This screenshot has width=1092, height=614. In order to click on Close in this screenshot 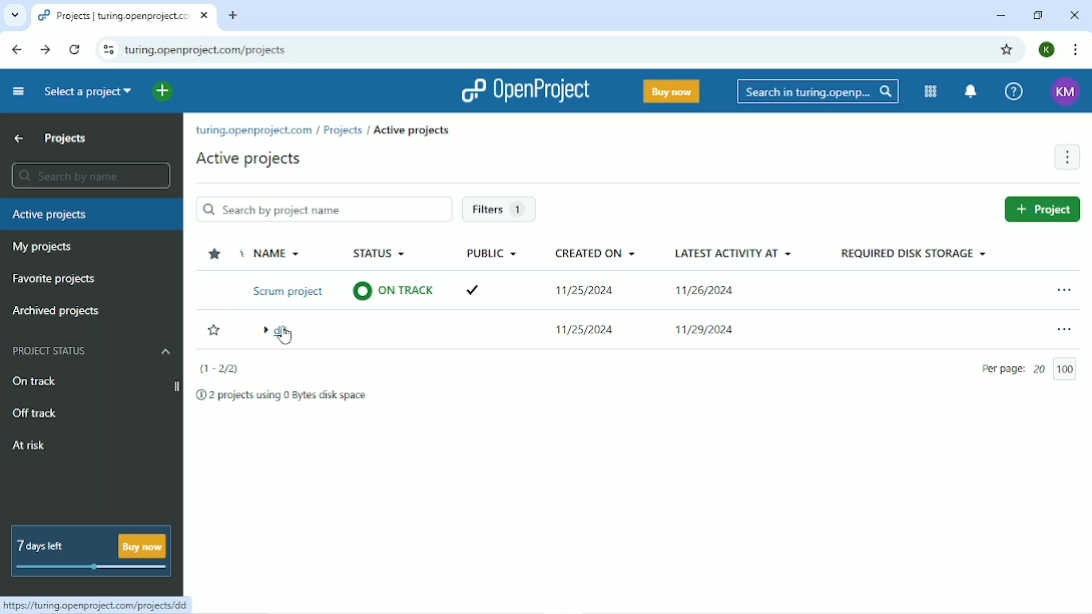, I will do `click(1073, 15)`.